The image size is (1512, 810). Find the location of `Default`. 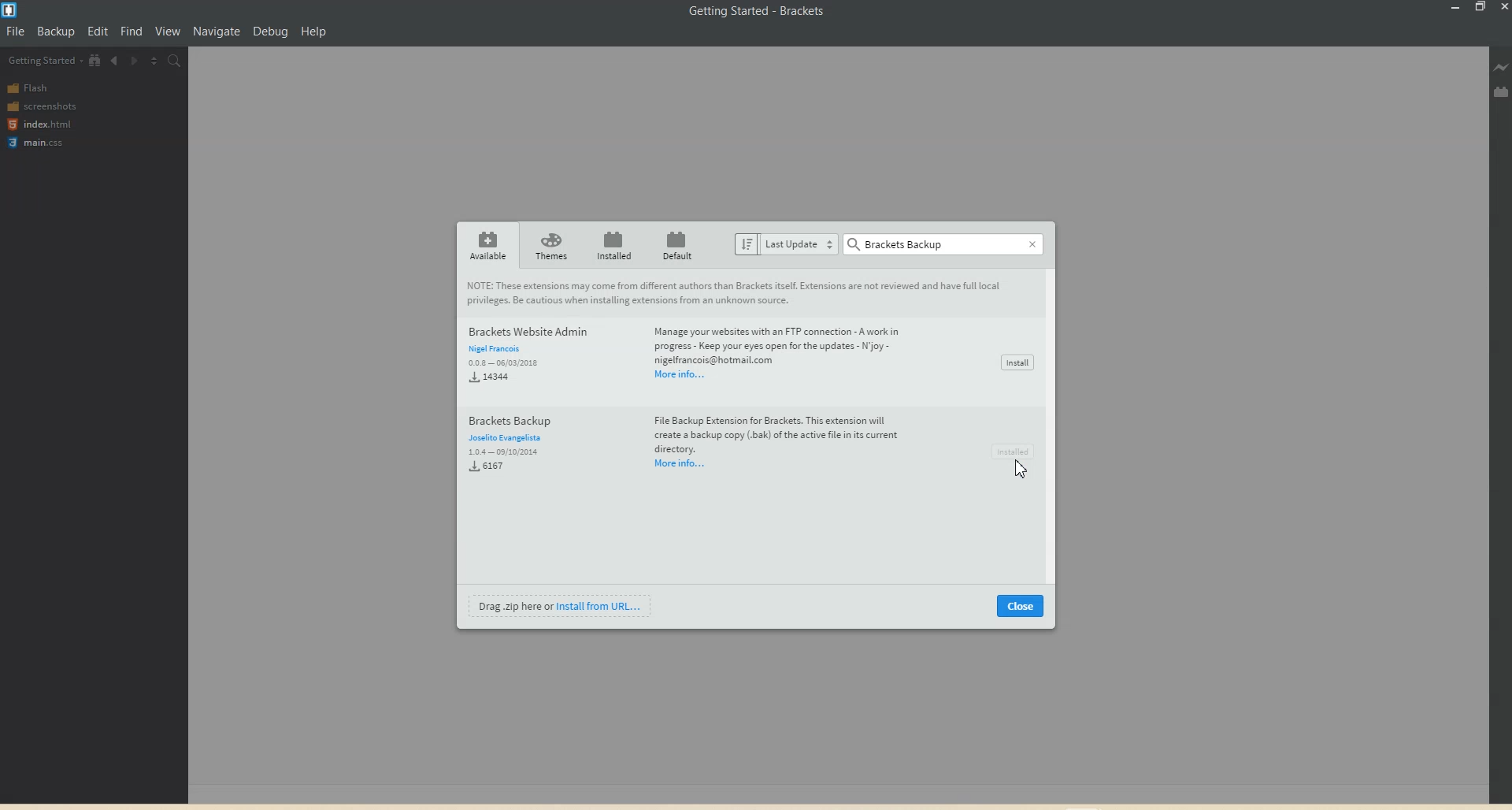

Default is located at coordinates (676, 244).